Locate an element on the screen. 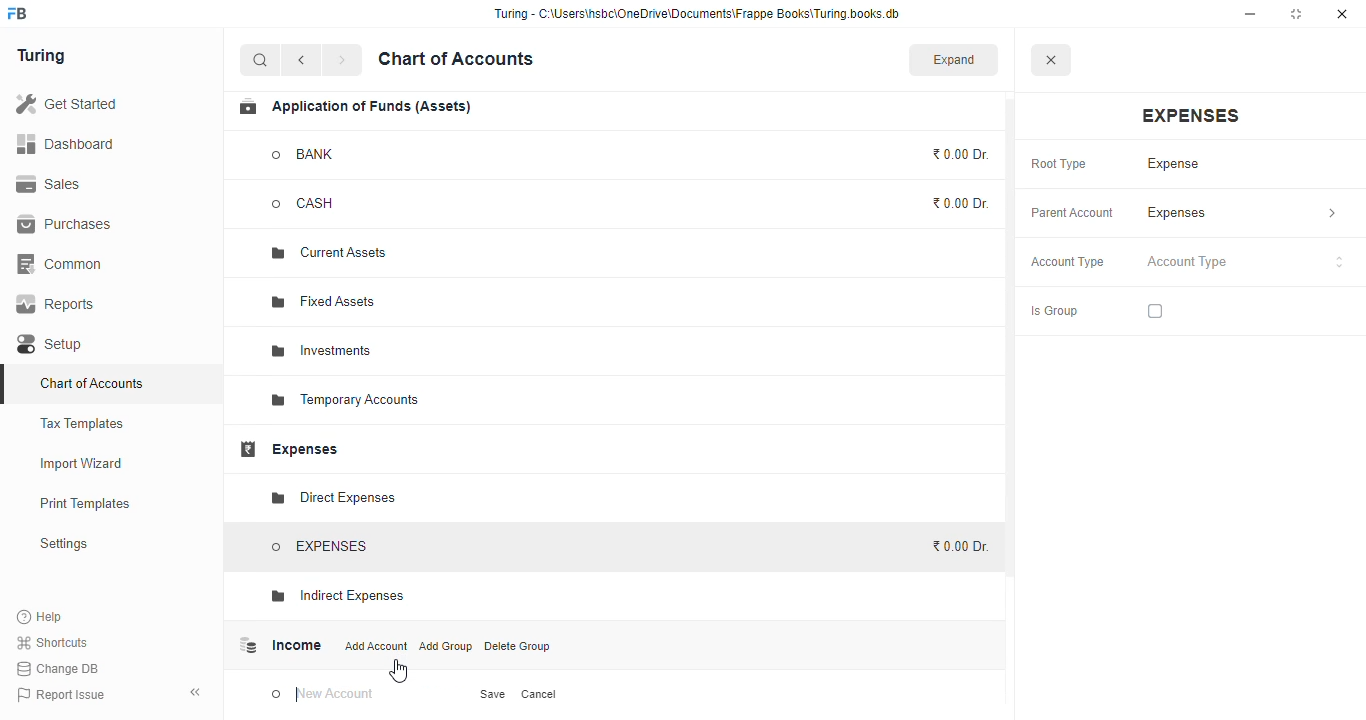 The width and height of the screenshot is (1366, 720). application of funds (assets) is located at coordinates (354, 107).